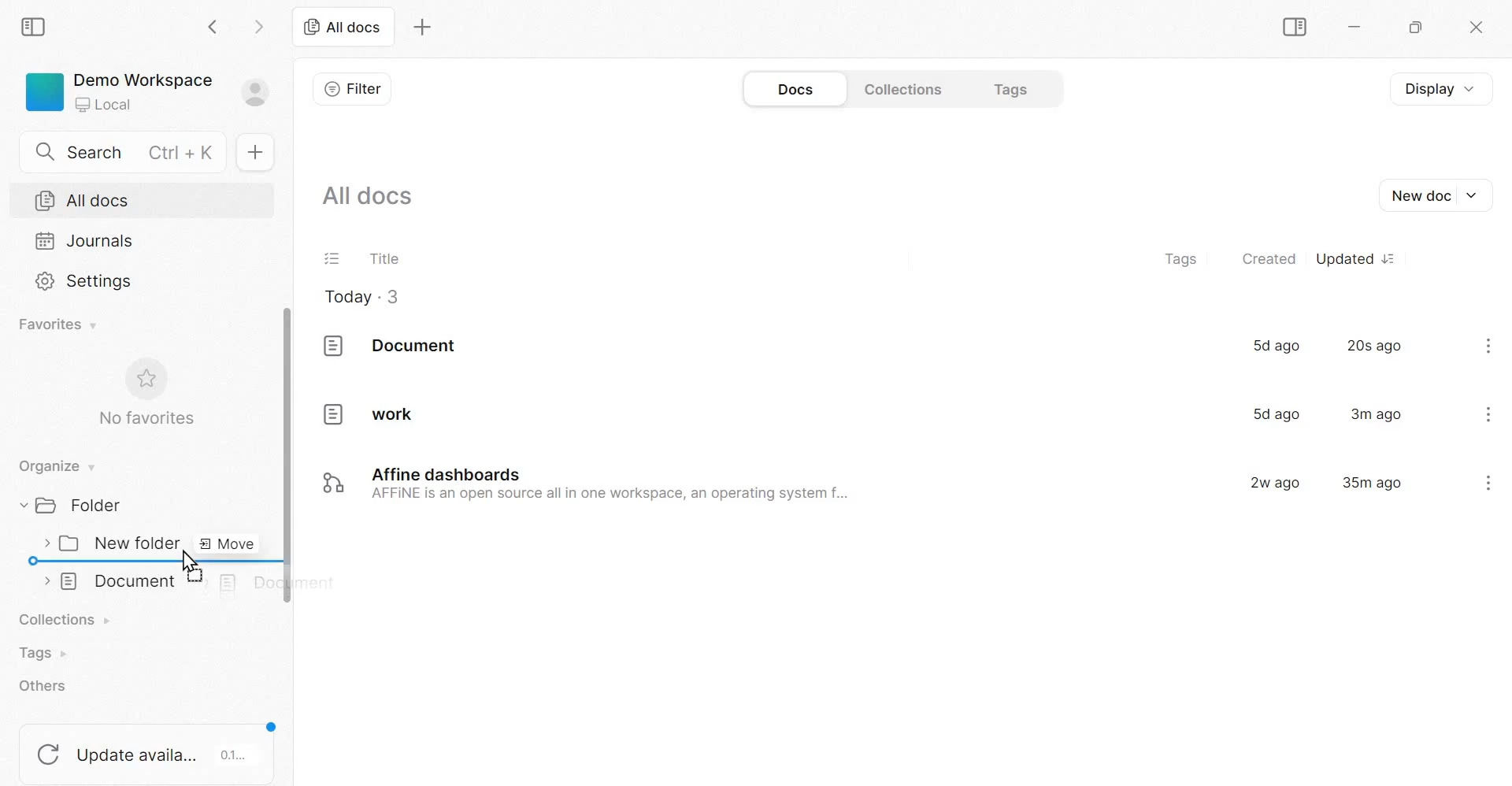 Image resolution: width=1512 pixels, height=786 pixels. I want to click on Collections, so click(900, 89).